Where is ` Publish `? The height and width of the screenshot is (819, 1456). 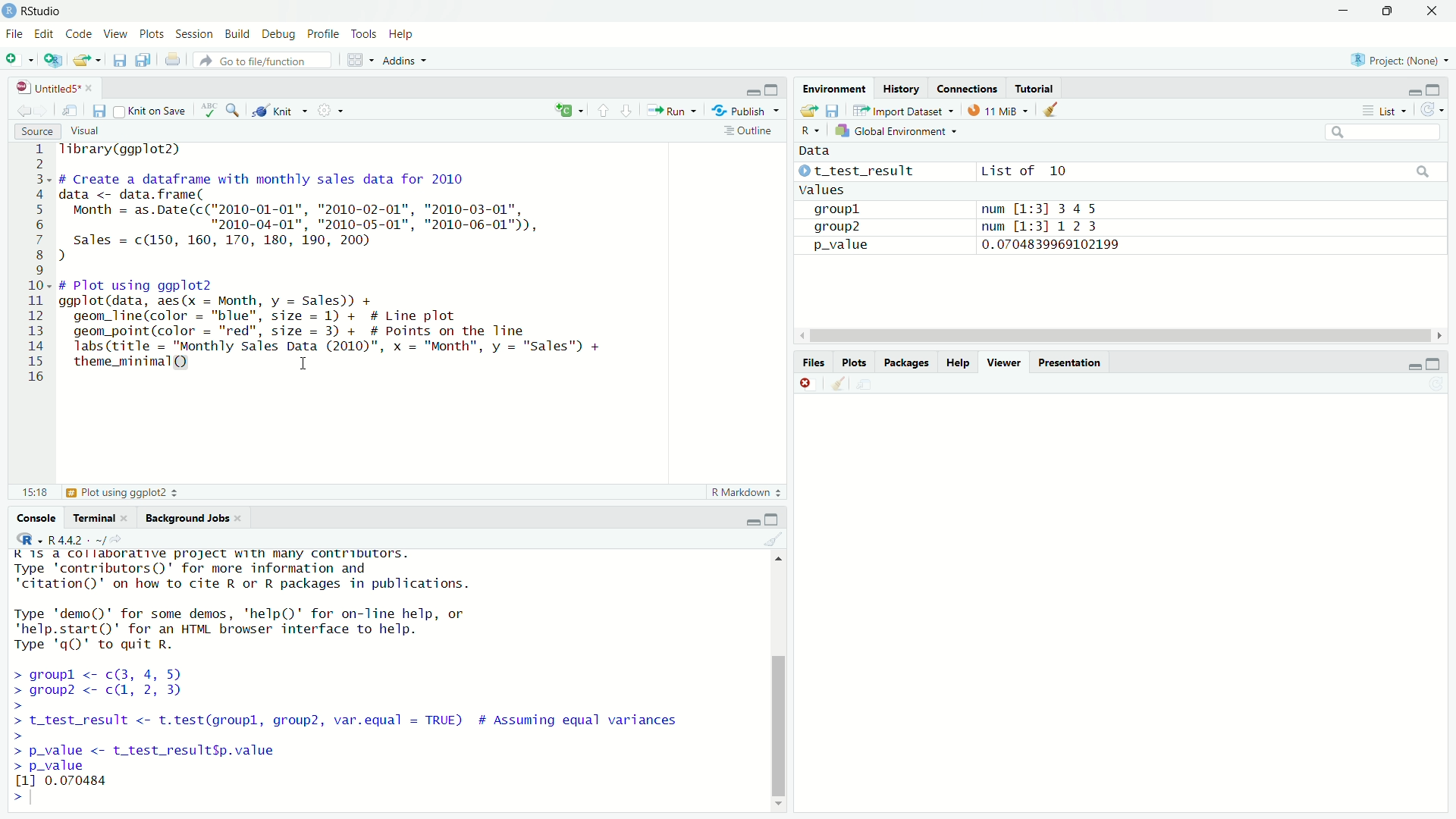  Publish  is located at coordinates (749, 111).